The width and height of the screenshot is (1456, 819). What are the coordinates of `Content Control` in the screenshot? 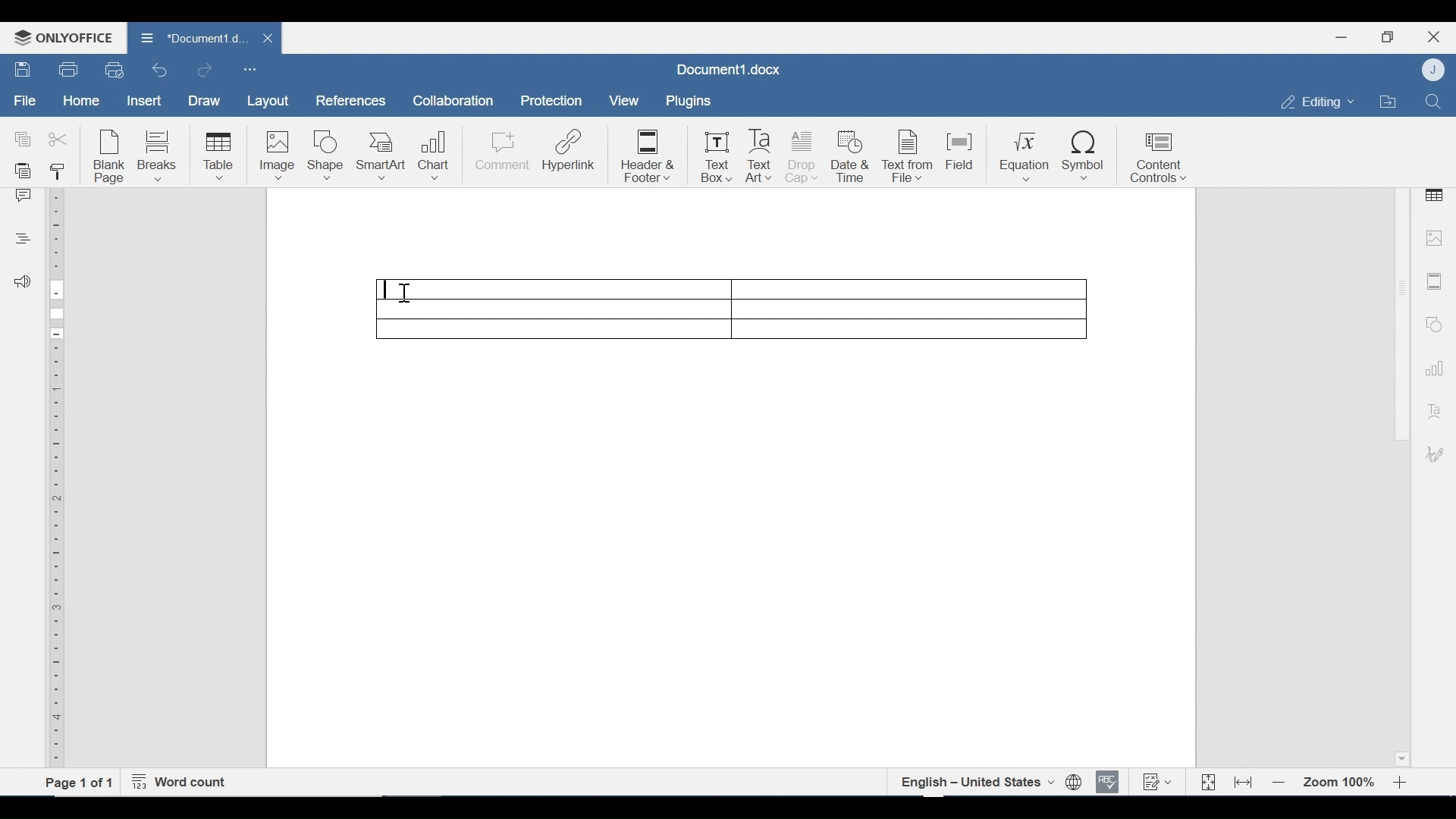 It's located at (1157, 159).